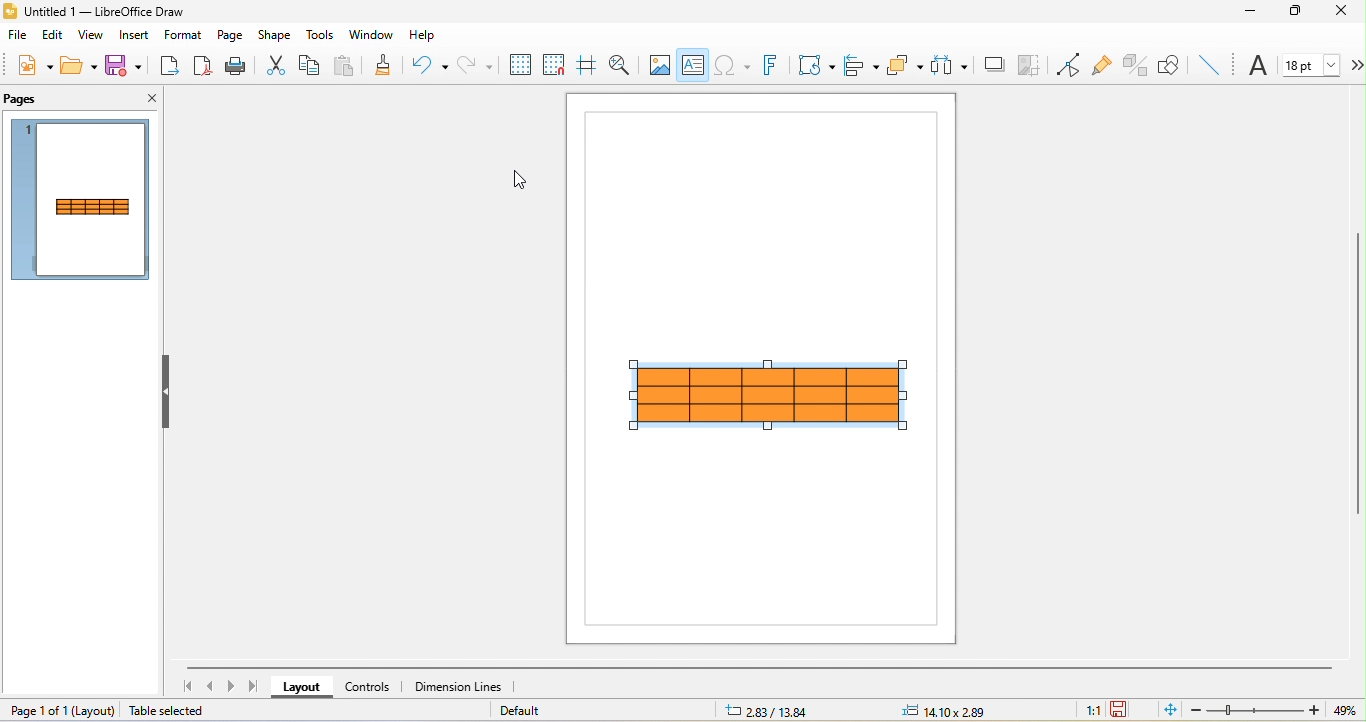  Describe the element at coordinates (427, 36) in the screenshot. I see `help` at that location.